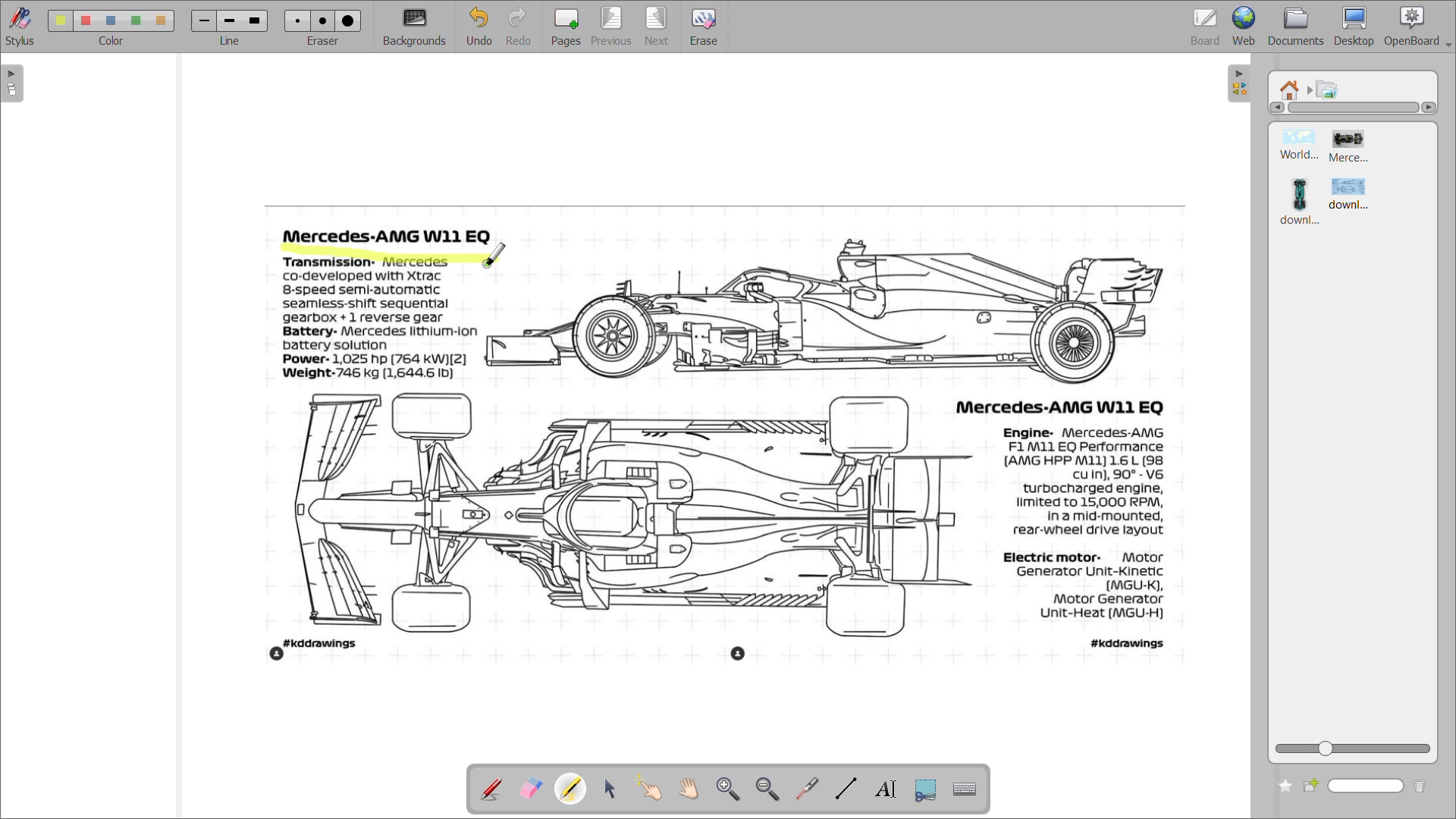  What do you see at coordinates (924, 788) in the screenshot?
I see `capture part of screen` at bounding box center [924, 788].